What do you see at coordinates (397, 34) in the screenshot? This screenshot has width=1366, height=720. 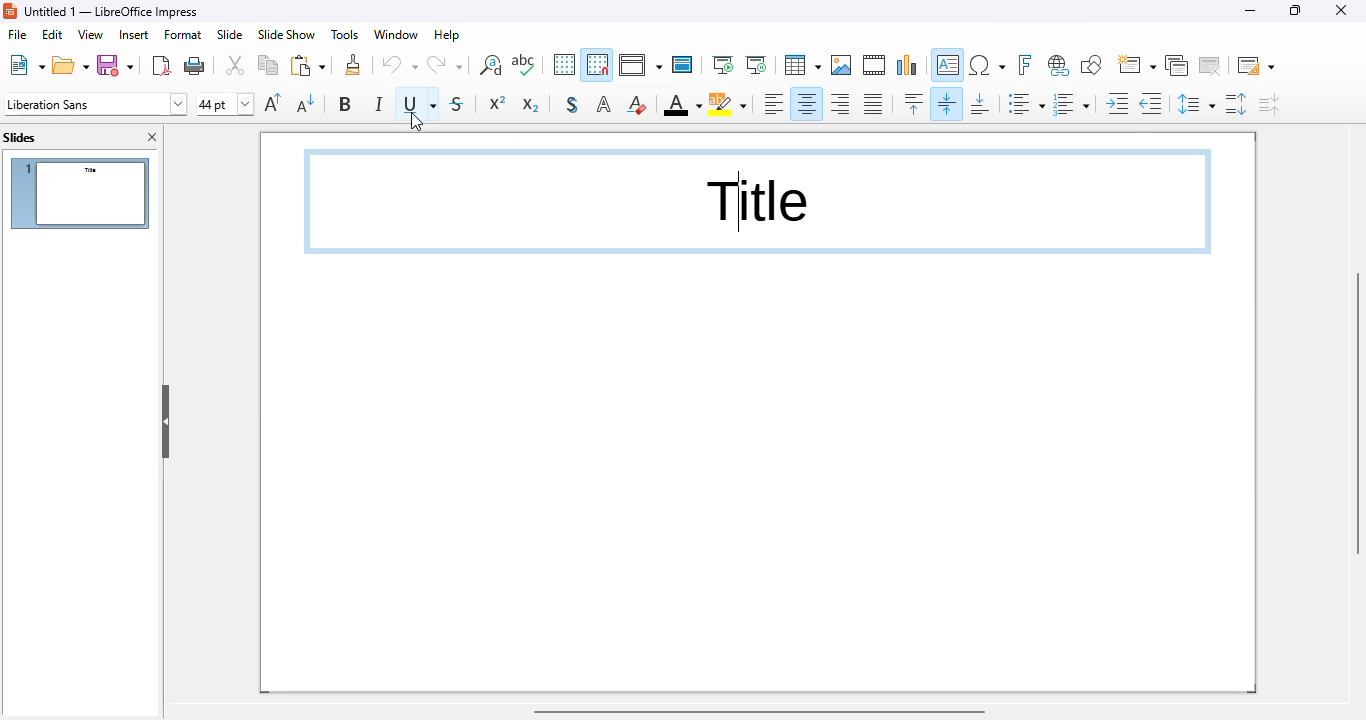 I see `window` at bounding box center [397, 34].